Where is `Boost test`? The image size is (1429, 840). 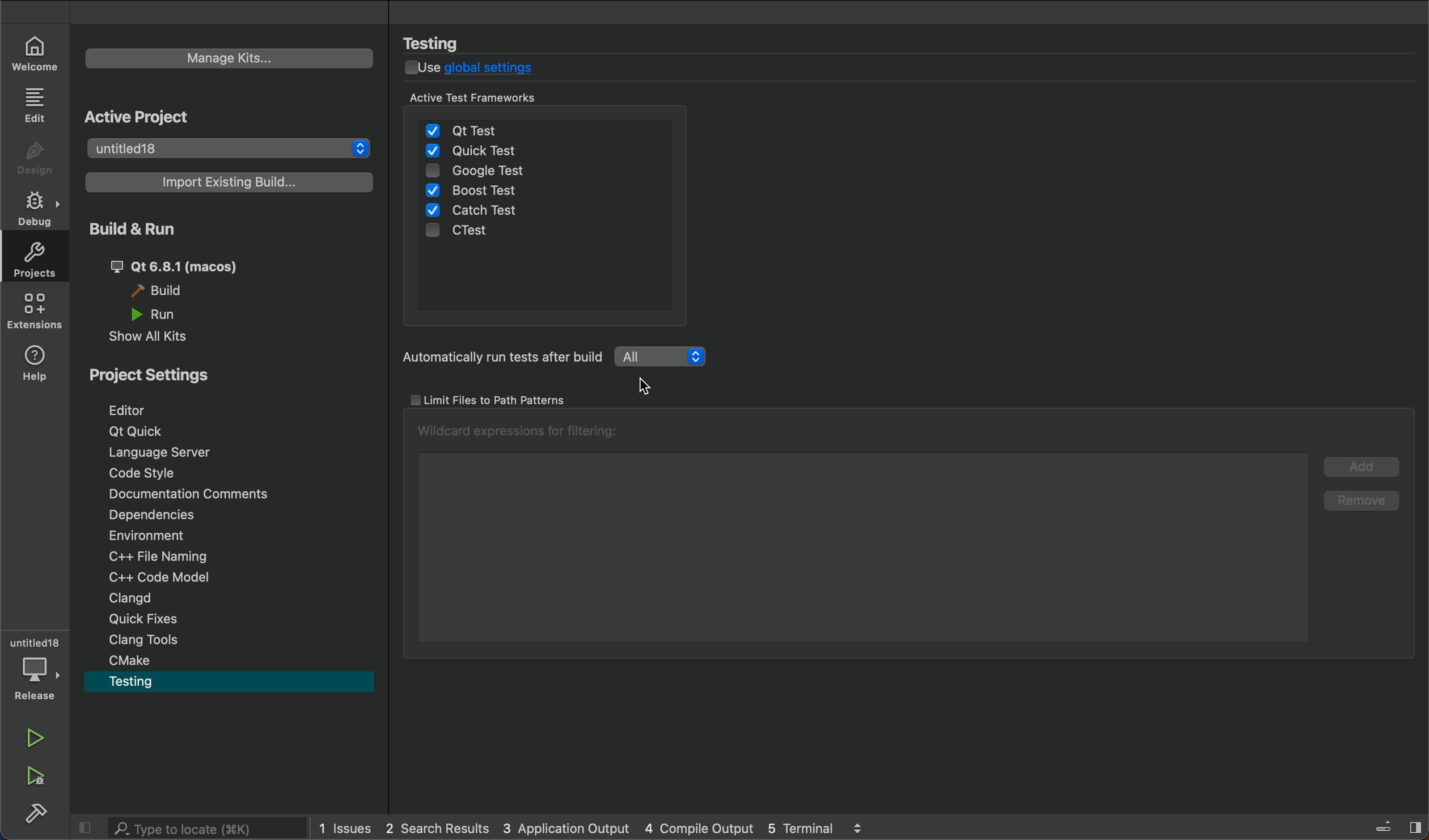
Boost test is located at coordinates (479, 190).